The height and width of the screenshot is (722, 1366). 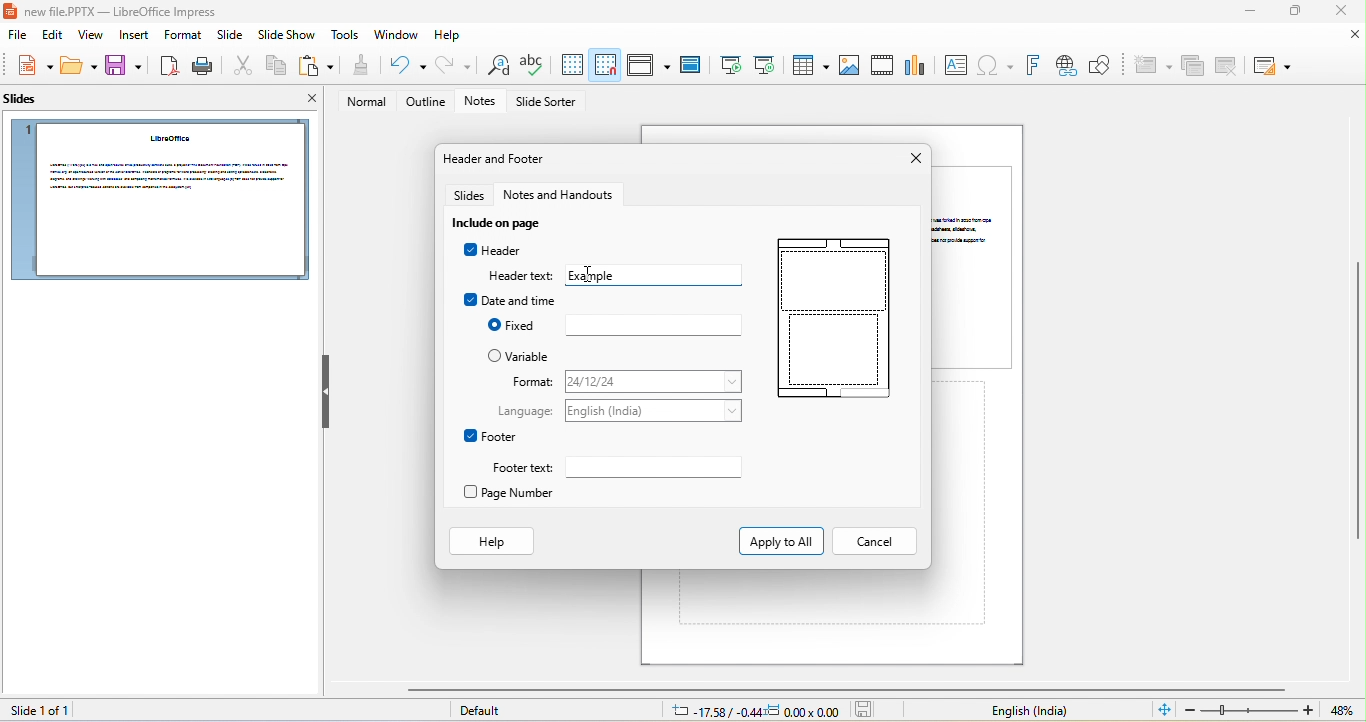 I want to click on variable, so click(x=522, y=356).